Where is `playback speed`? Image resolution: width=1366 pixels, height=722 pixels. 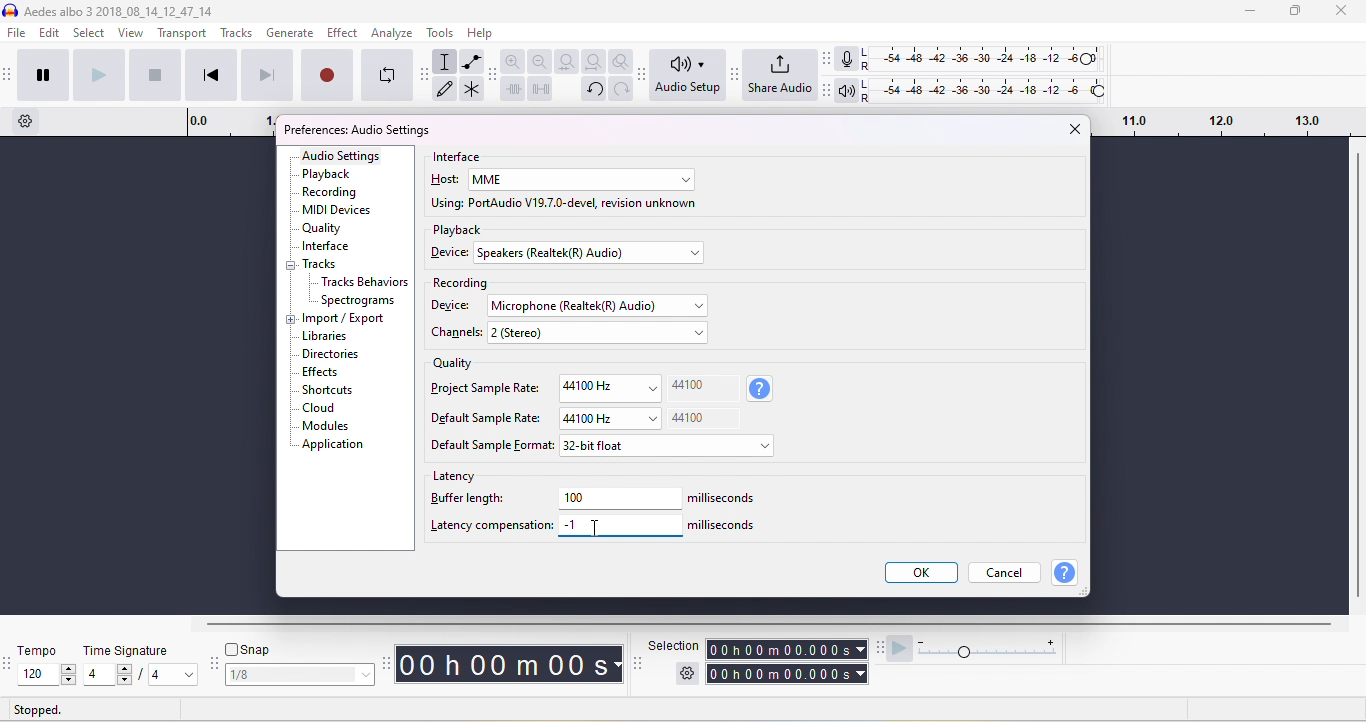
playback speed is located at coordinates (992, 649).